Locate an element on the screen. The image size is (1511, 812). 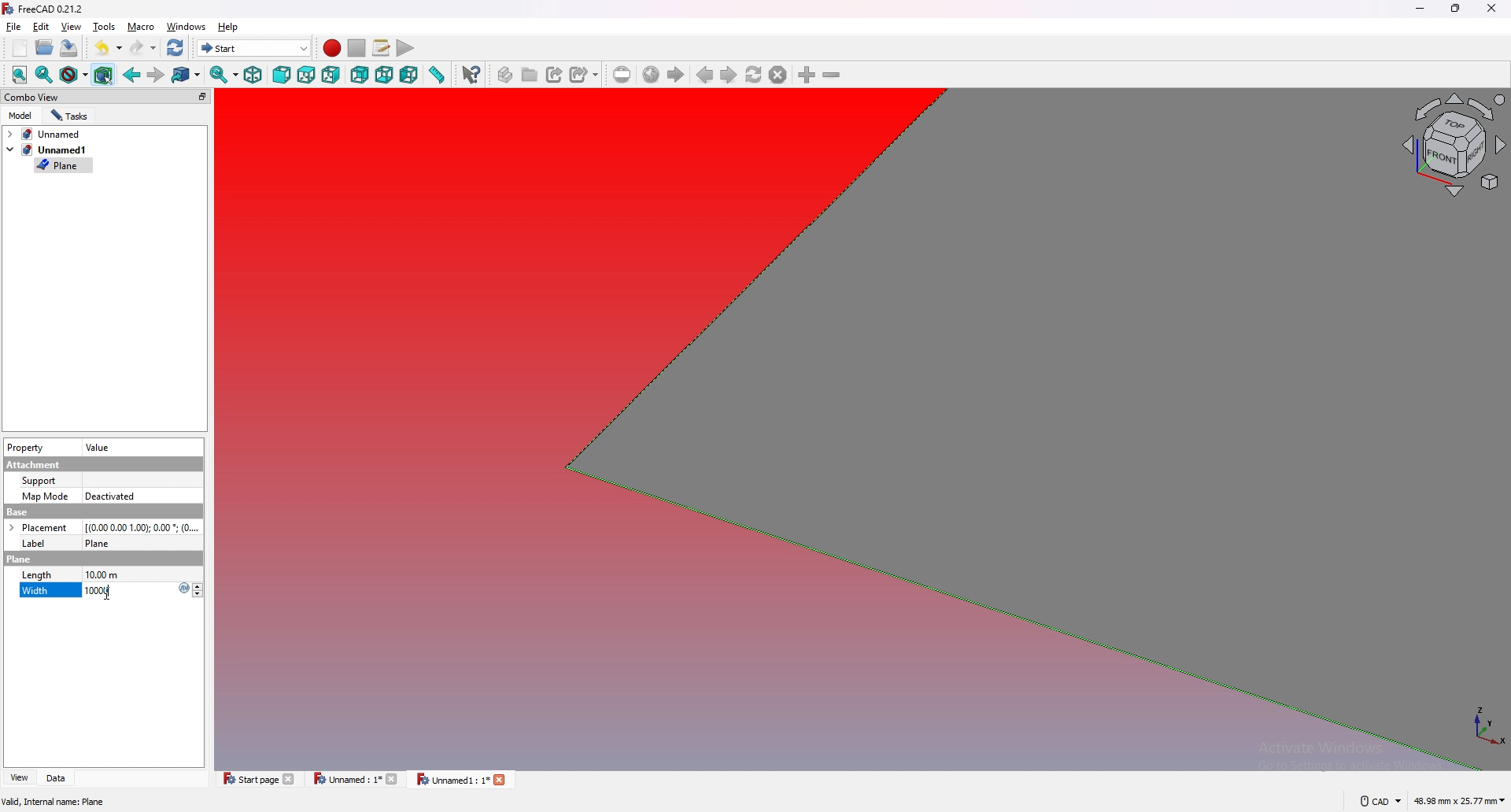
new is located at coordinates (20, 48).